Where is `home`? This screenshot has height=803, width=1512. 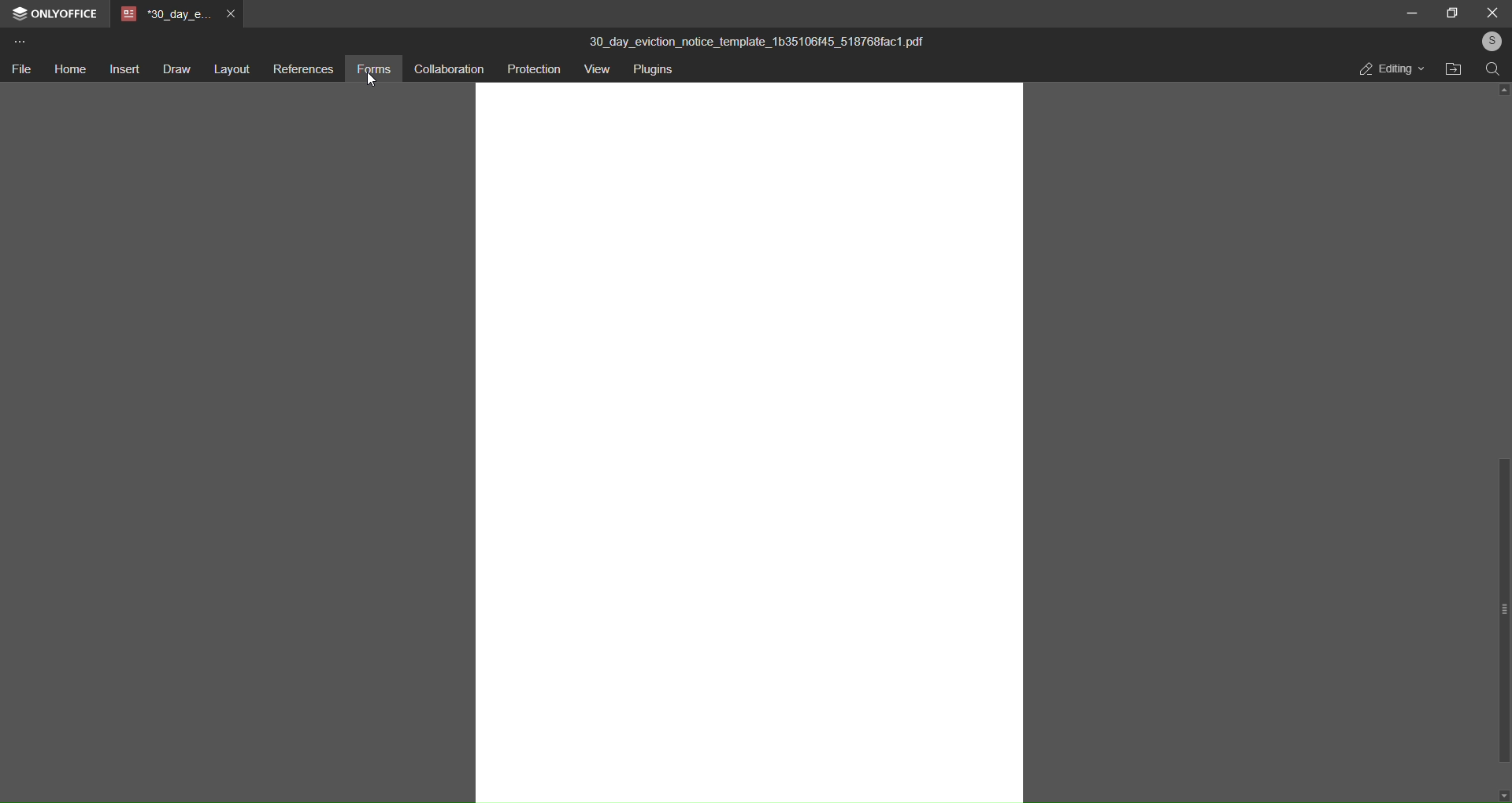
home is located at coordinates (69, 70).